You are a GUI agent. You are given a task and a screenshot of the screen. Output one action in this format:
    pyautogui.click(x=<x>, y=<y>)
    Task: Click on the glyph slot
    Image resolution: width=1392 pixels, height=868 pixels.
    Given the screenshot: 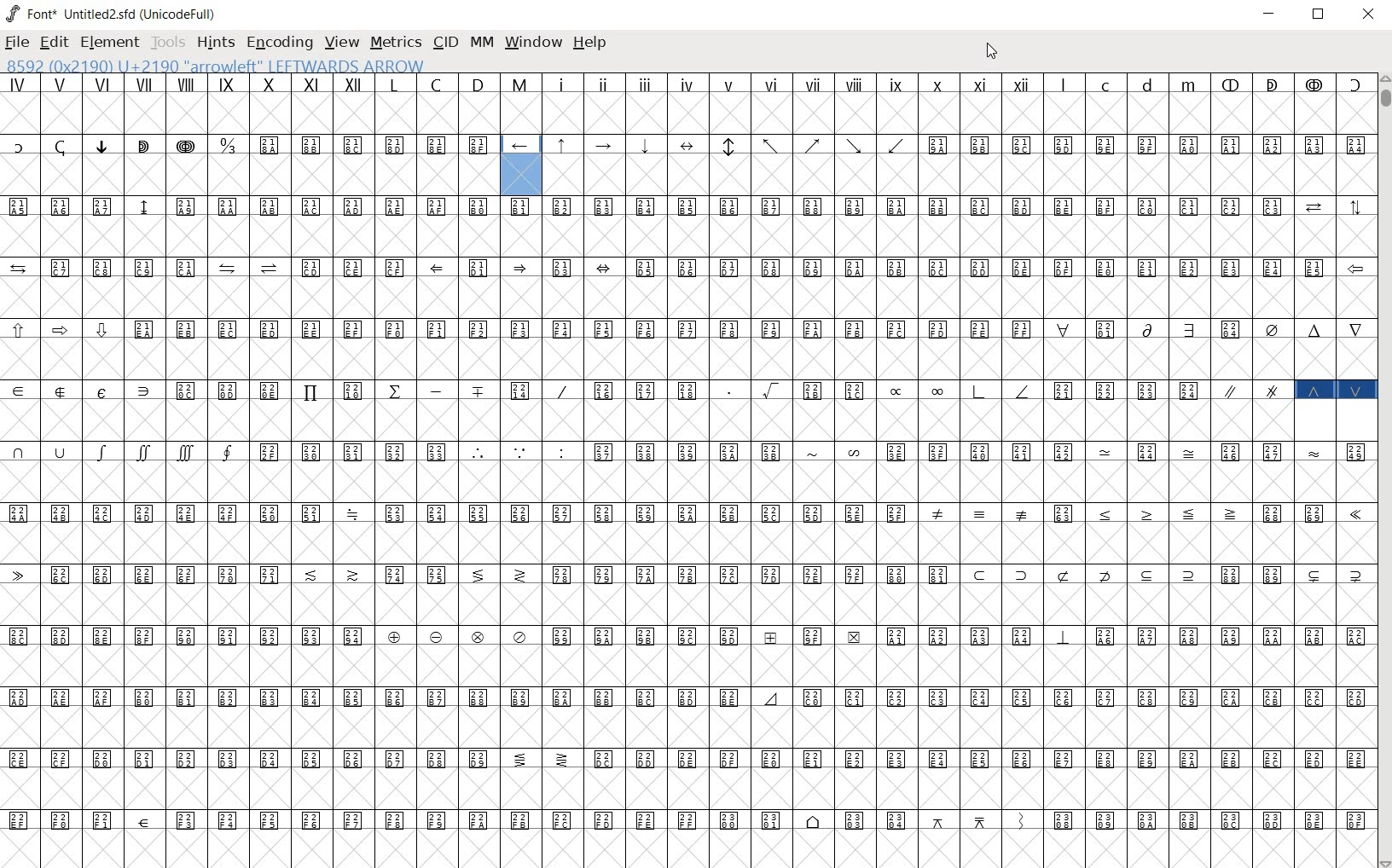 What is the action you would take?
    pyautogui.click(x=521, y=176)
    